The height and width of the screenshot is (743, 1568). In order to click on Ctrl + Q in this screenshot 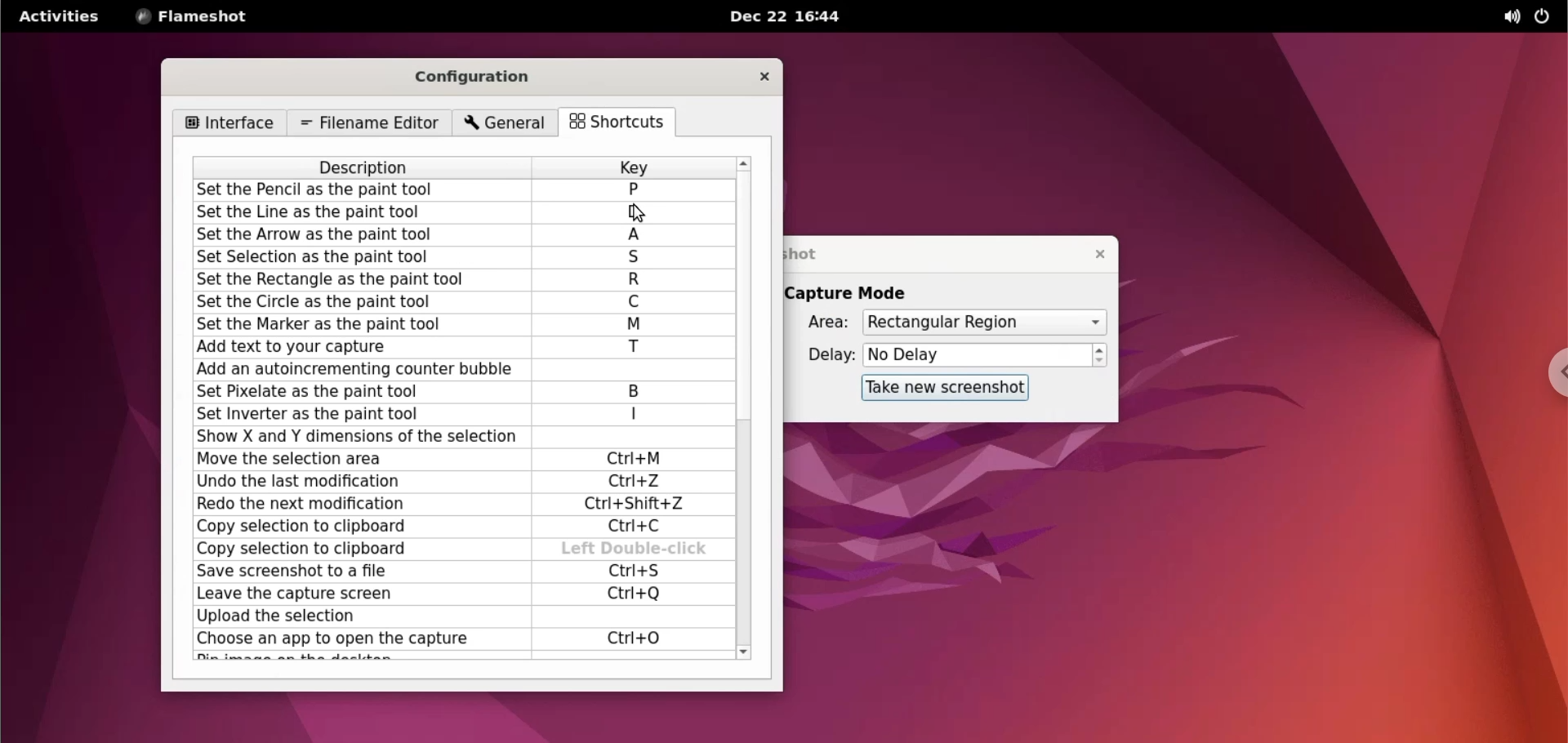, I will do `click(635, 593)`.